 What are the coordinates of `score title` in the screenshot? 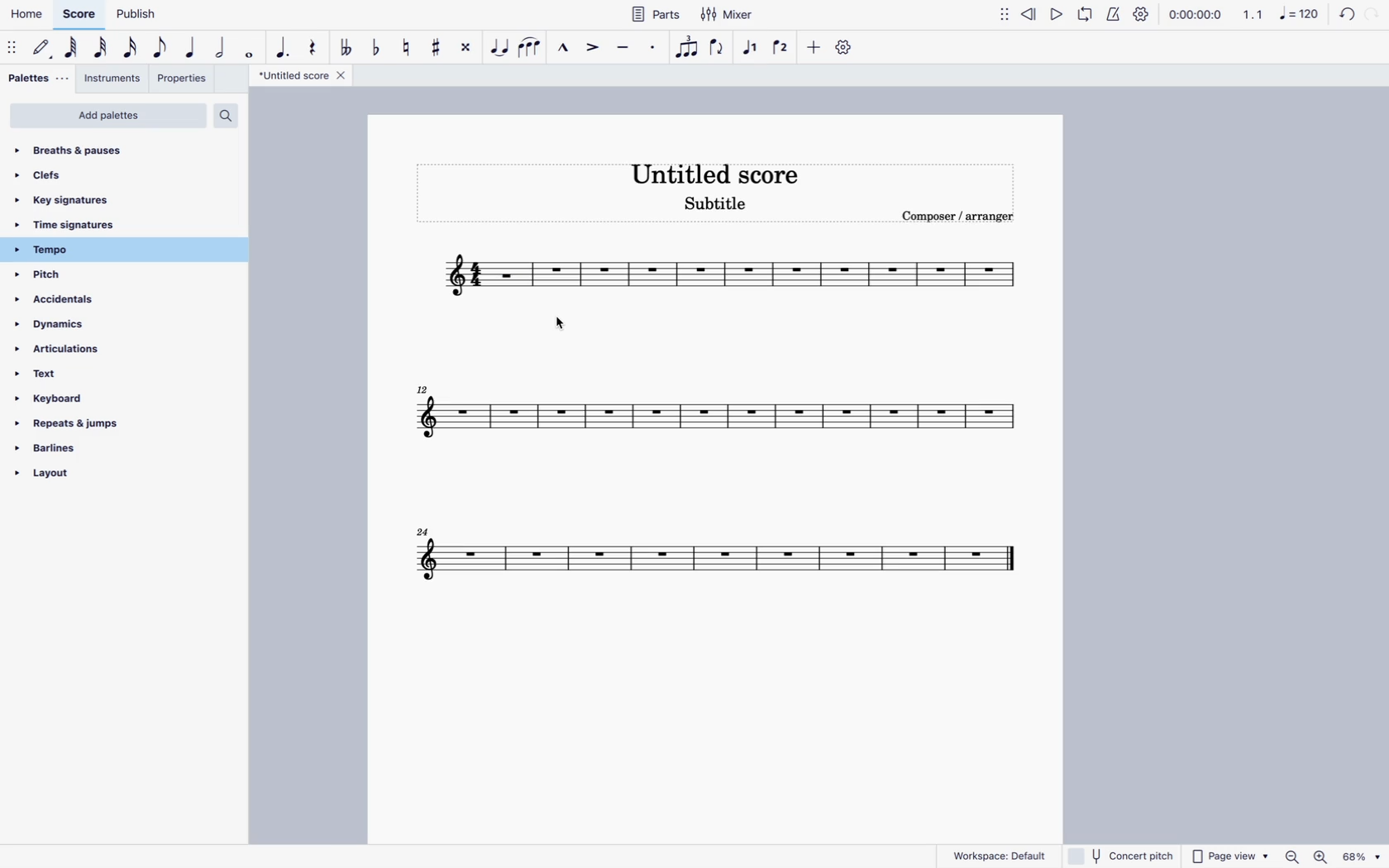 It's located at (301, 75).